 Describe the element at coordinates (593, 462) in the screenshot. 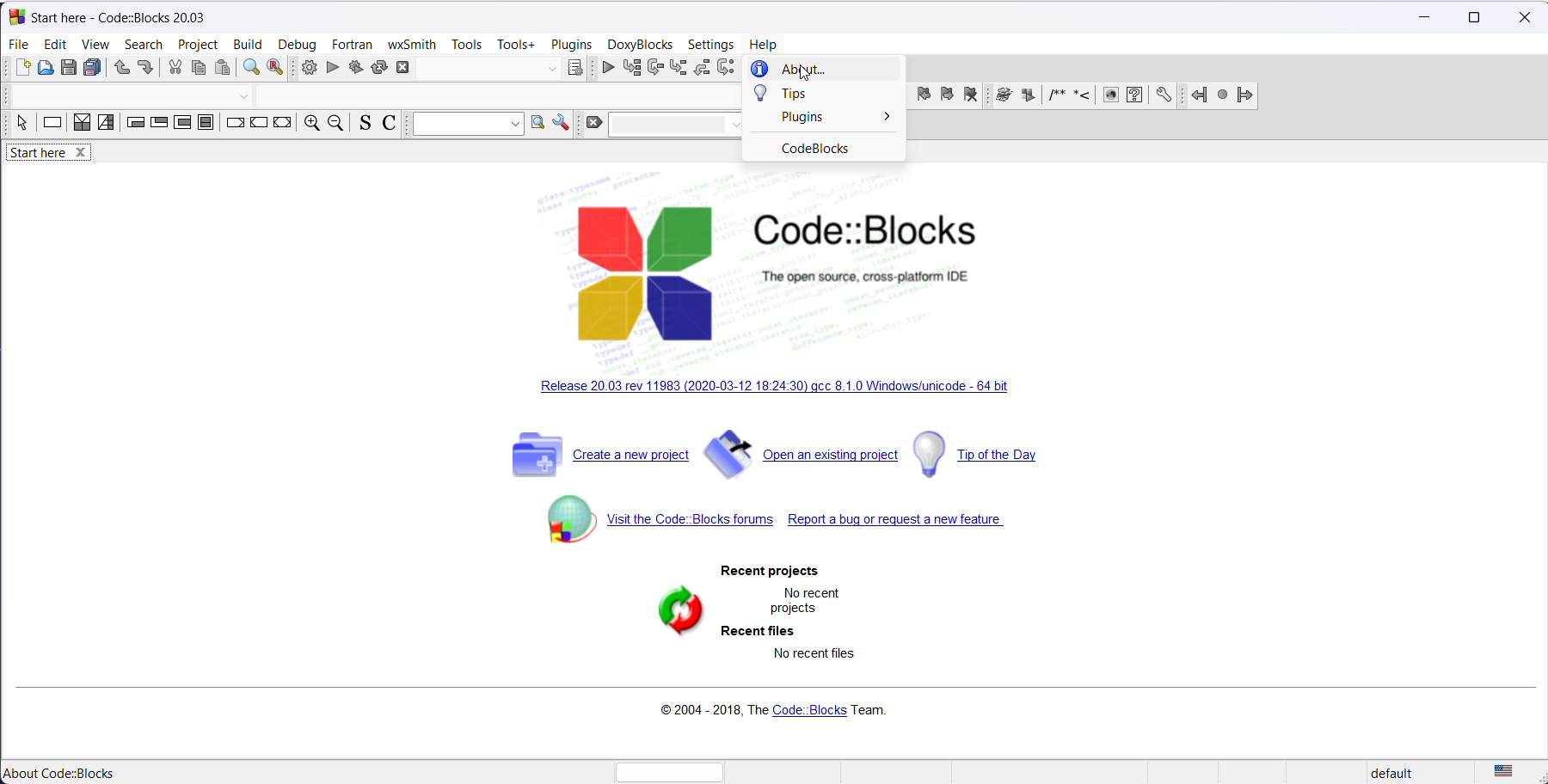

I see `create new project` at that location.